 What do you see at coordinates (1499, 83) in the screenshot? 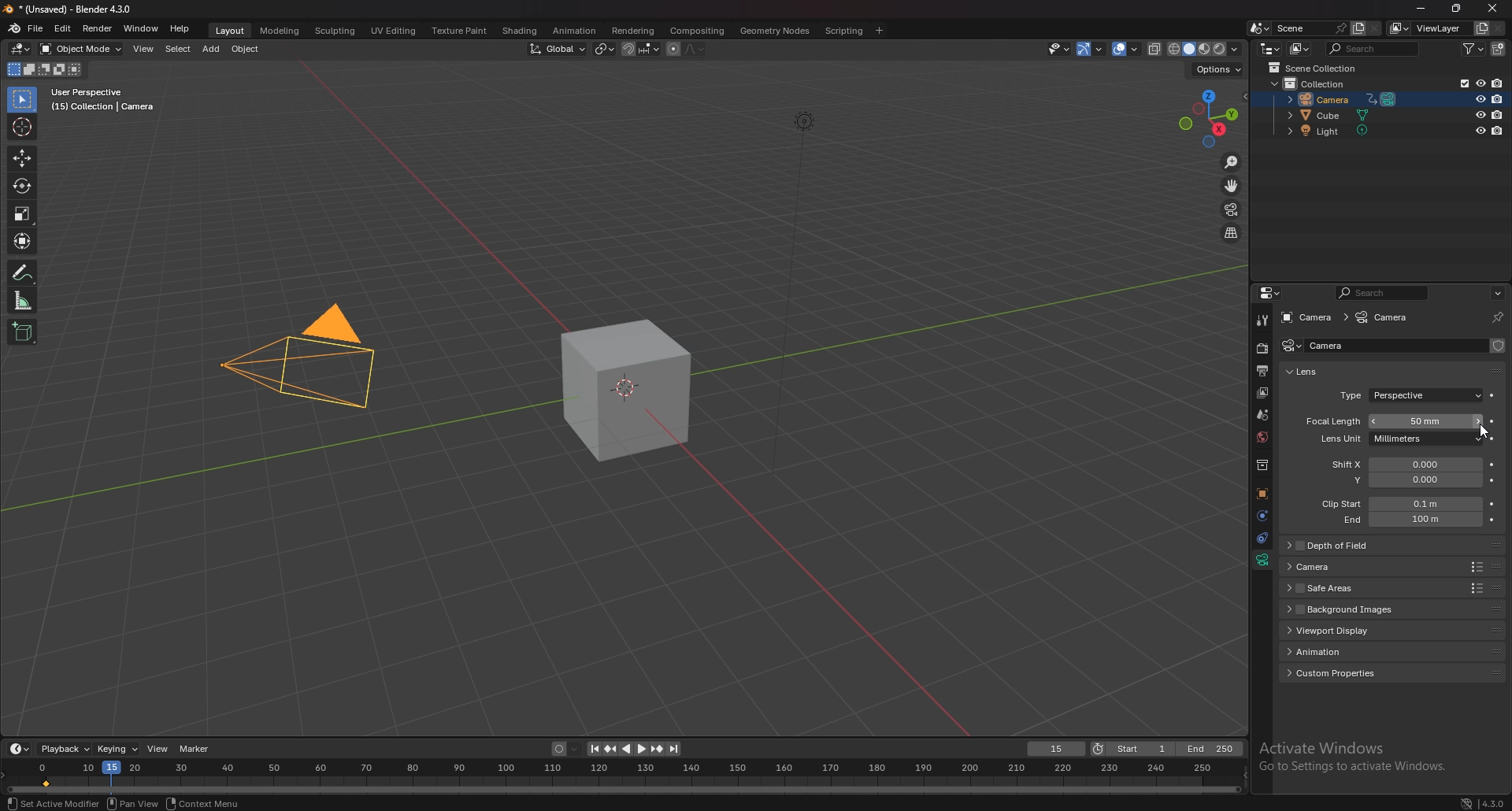
I see `disable in renders` at bounding box center [1499, 83].